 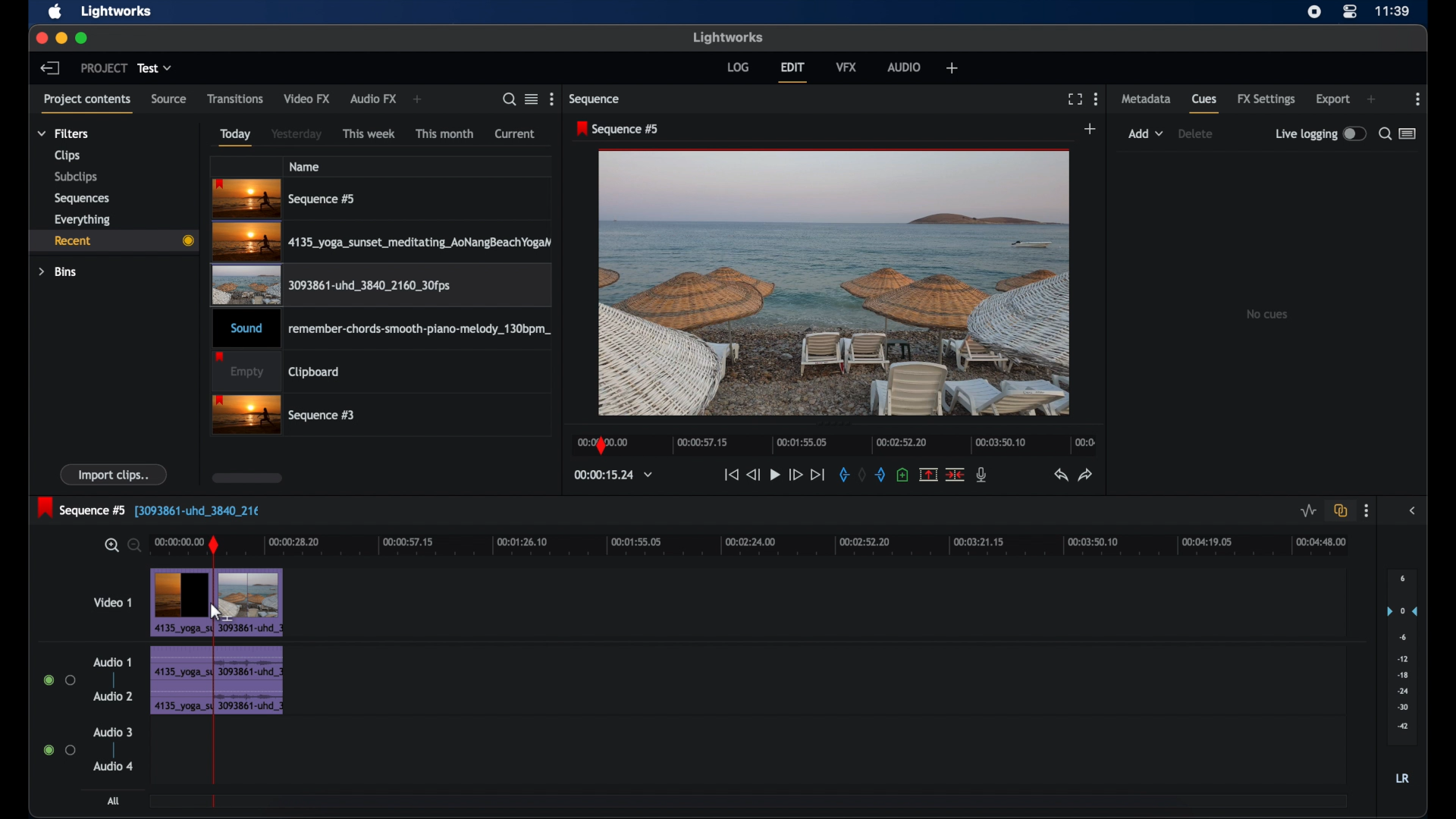 What do you see at coordinates (83, 220) in the screenshot?
I see `everything` at bounding box center [83, 220].